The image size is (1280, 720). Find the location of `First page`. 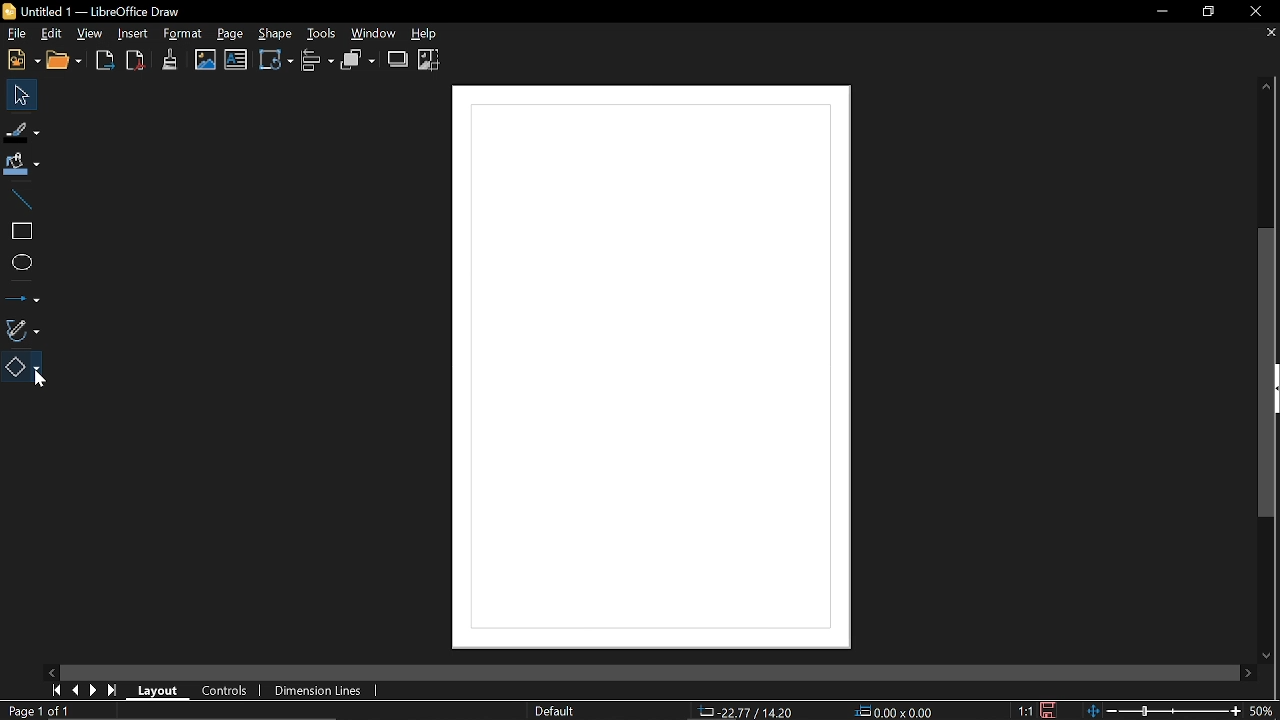

First page is located at coordinates (54, 690).